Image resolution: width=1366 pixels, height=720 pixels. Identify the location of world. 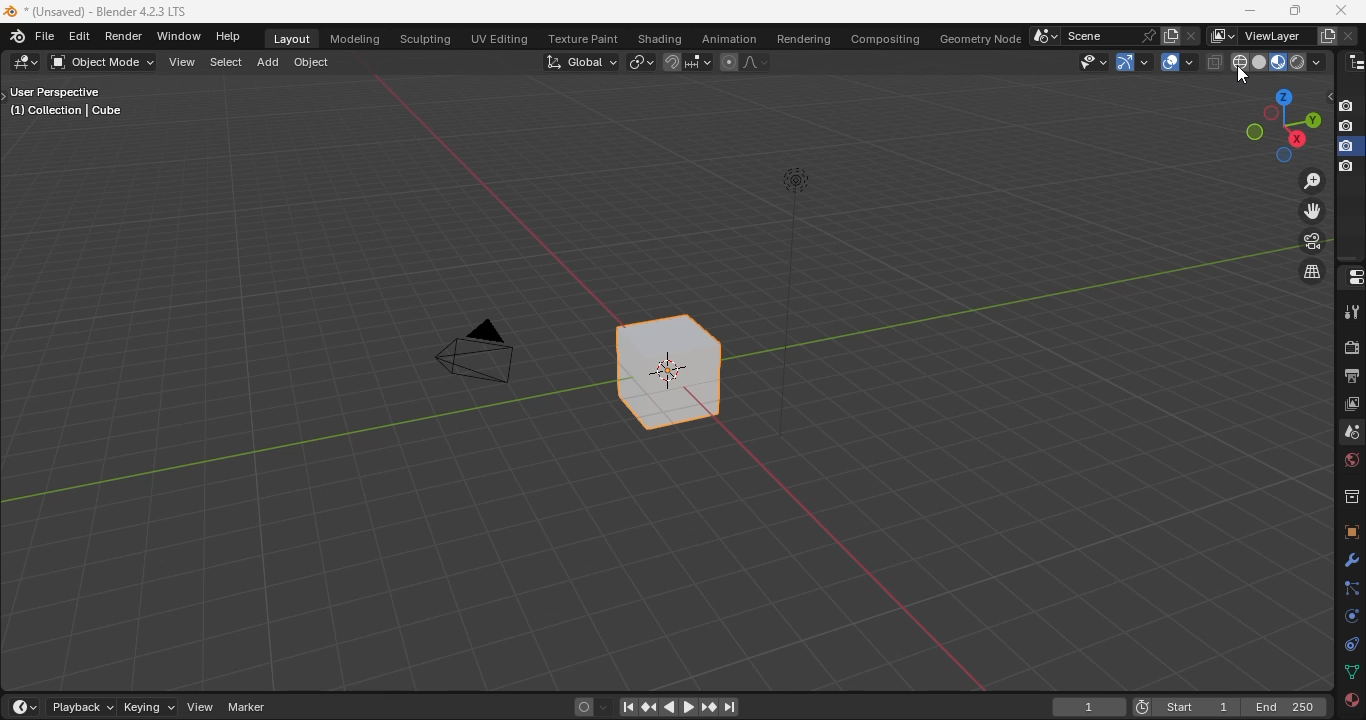
(1351, 461).